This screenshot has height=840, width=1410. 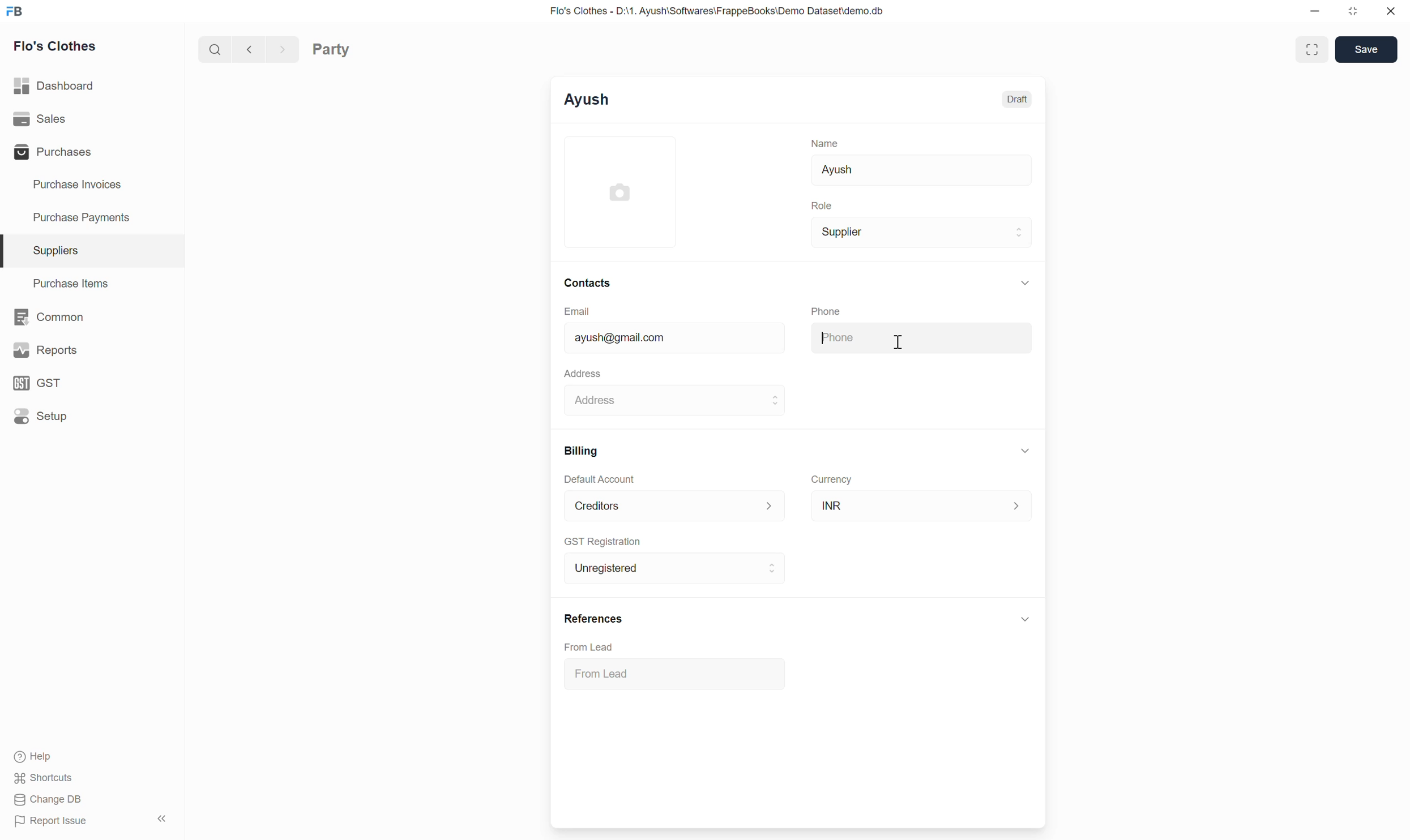 I want to click on Typing cursor, so click(x=575, y=337).